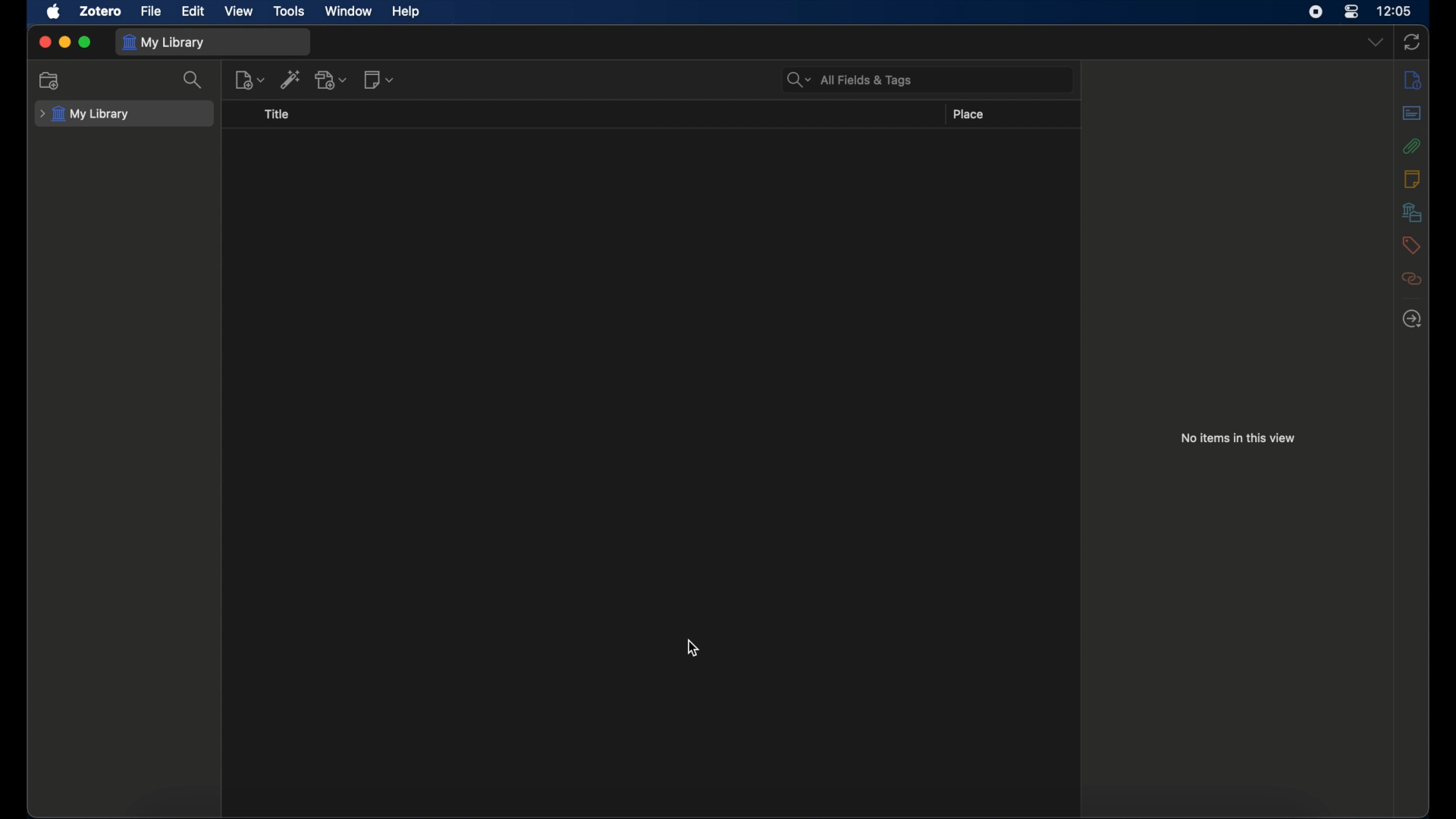  I want to click on related, so click(1412, 278).